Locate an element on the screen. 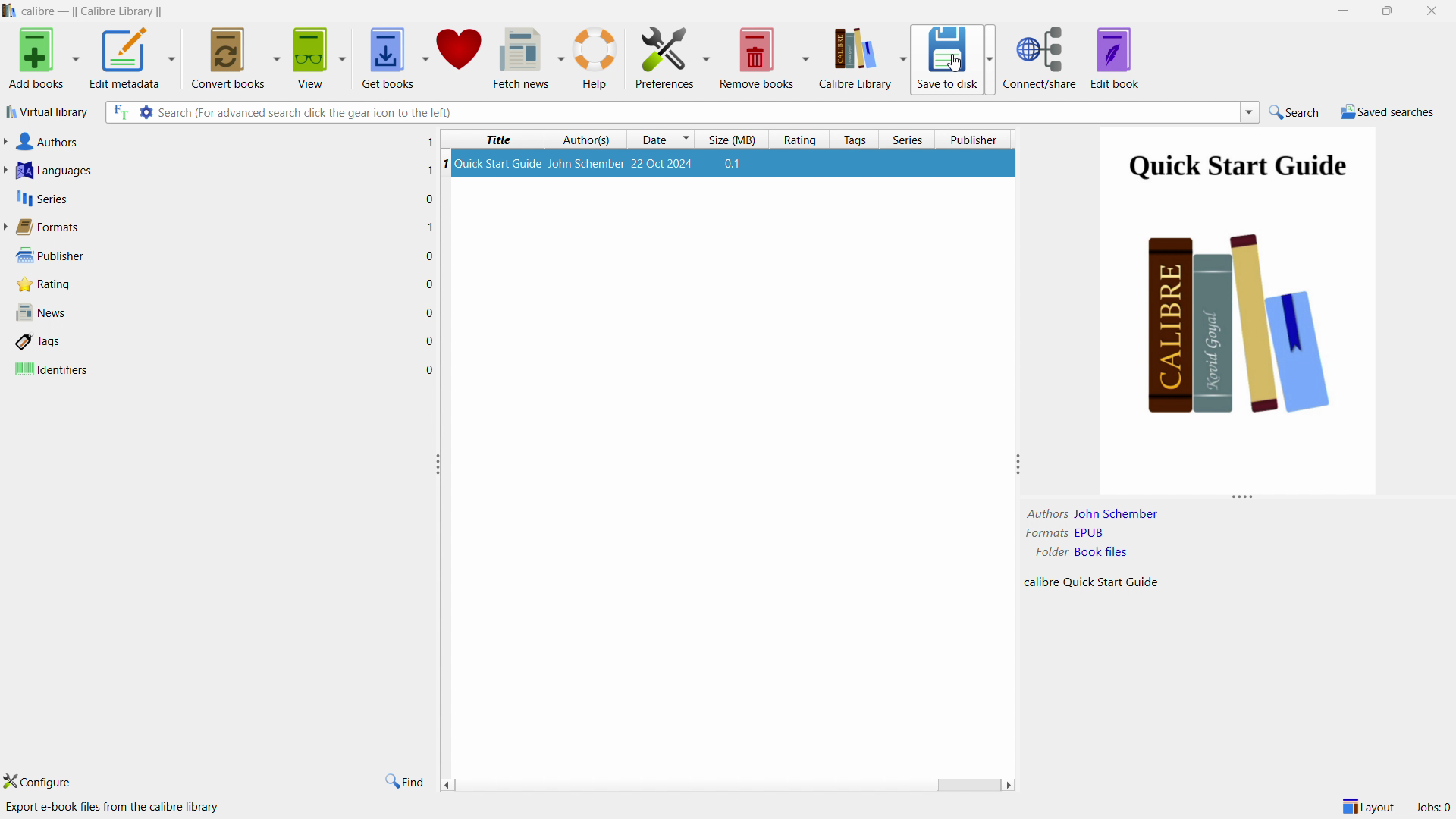 This screenshot has height=819, width=1456. export e-book files from the calibre library is located at coordinates (115, 808).